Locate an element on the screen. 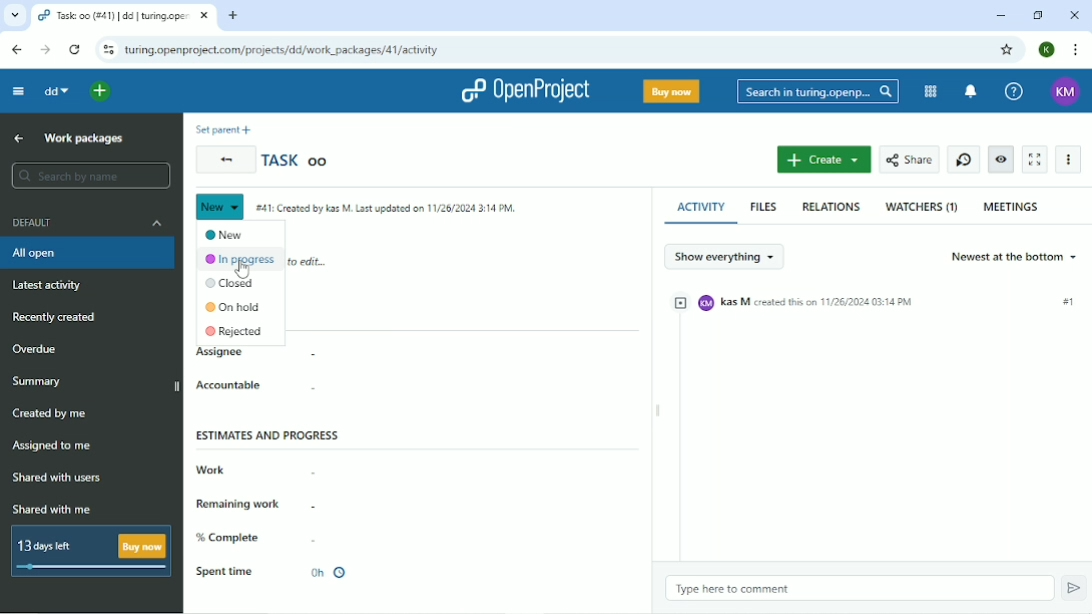 The width and height of the screenshot is (1092, 614). cursor is located at coordinates (248, 269).